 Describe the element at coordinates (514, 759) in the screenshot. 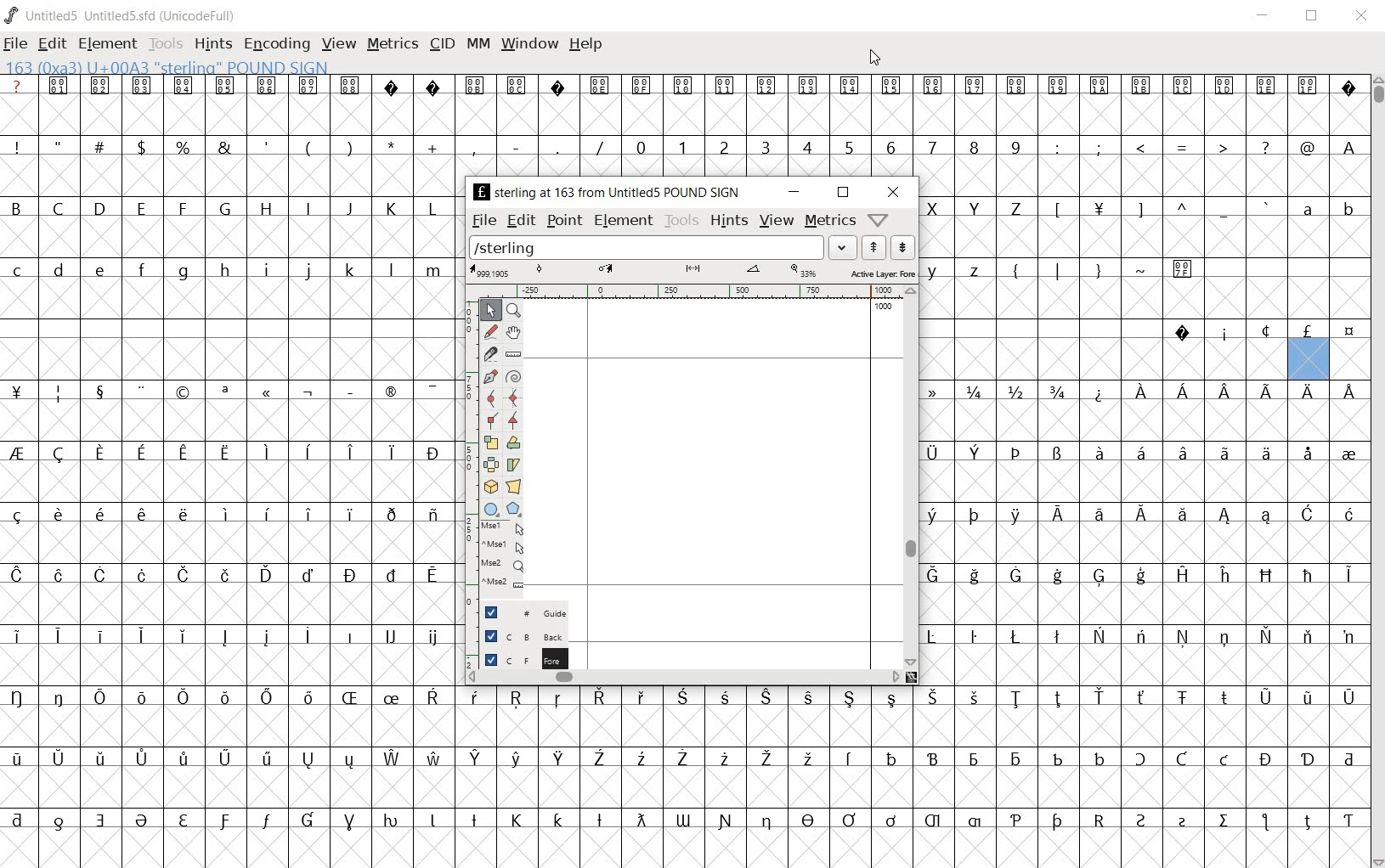

I see `Symbol` at that location.